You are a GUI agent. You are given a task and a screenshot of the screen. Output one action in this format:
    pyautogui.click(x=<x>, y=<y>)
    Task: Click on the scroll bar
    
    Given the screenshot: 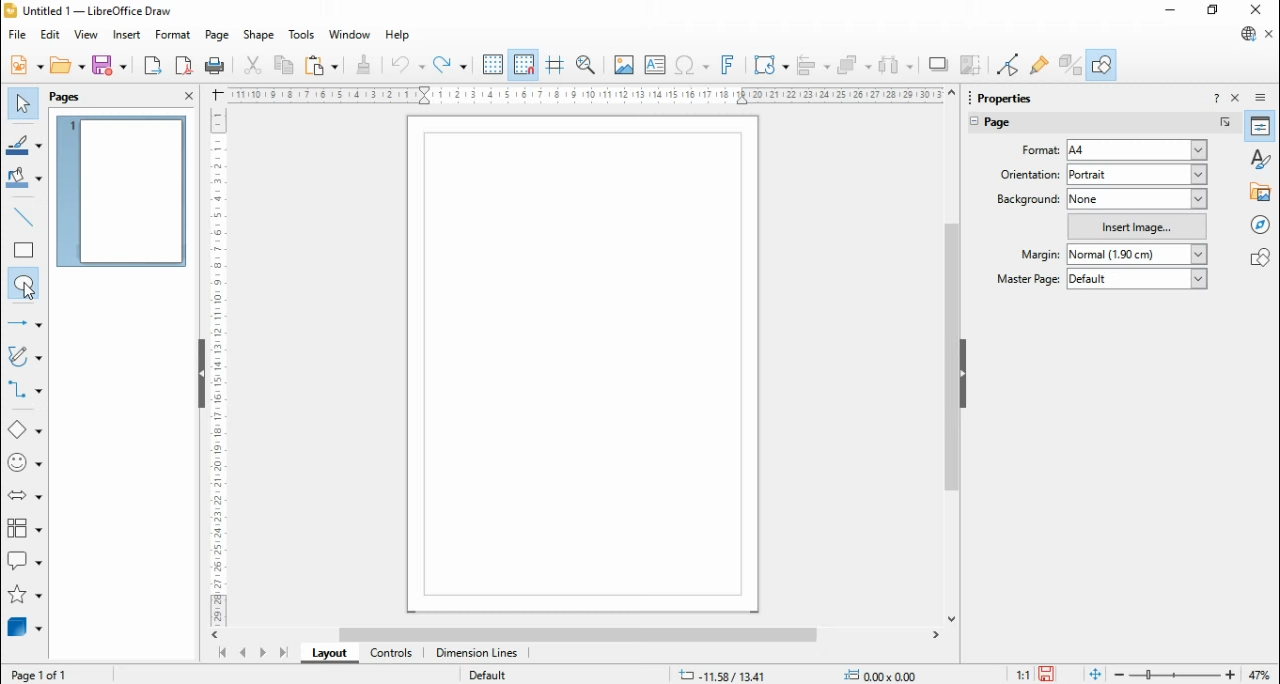 What is the action you would take?
    pyautogui.click(x=952, y=355)
    